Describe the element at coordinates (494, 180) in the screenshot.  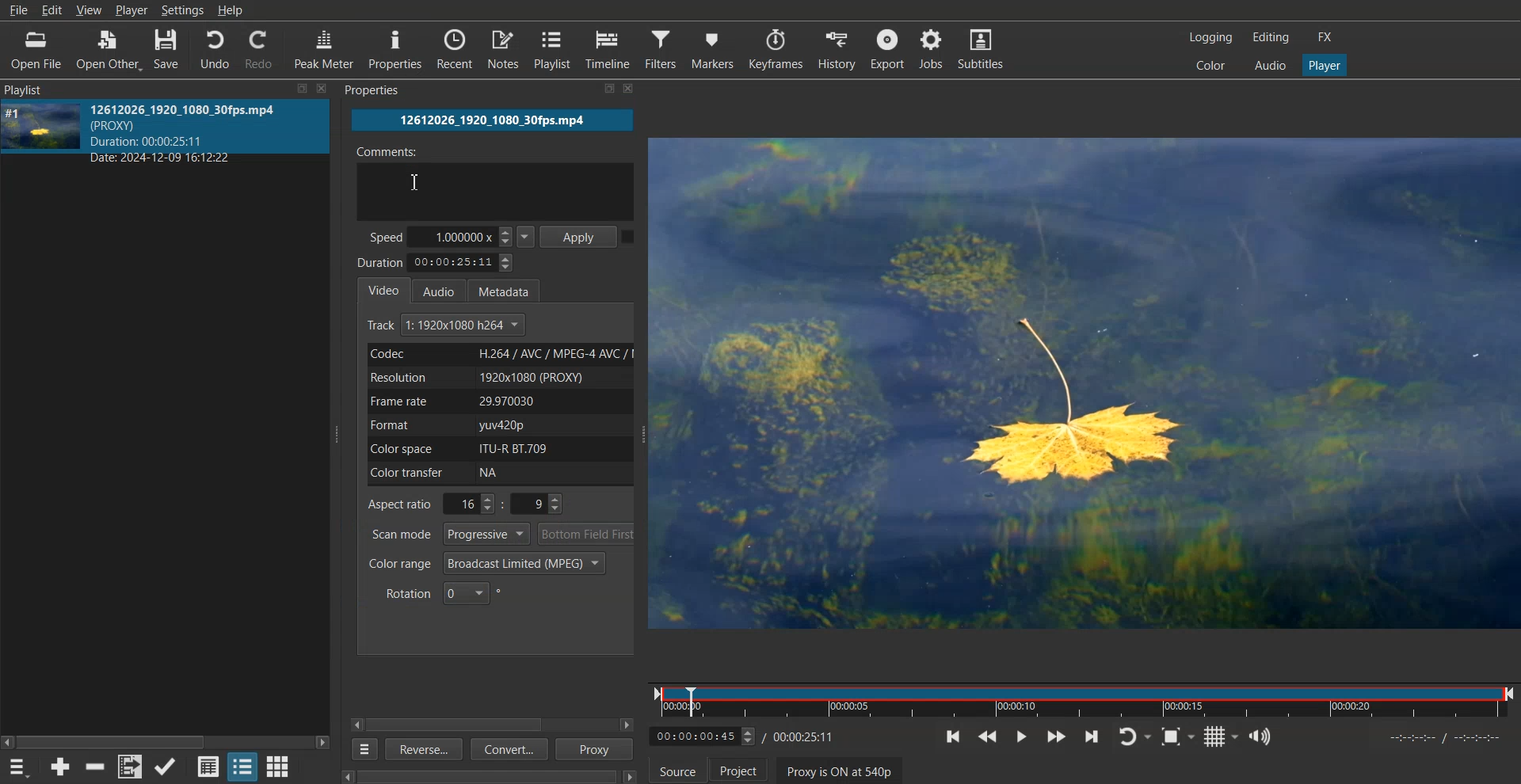
I see `Comment` at that location.